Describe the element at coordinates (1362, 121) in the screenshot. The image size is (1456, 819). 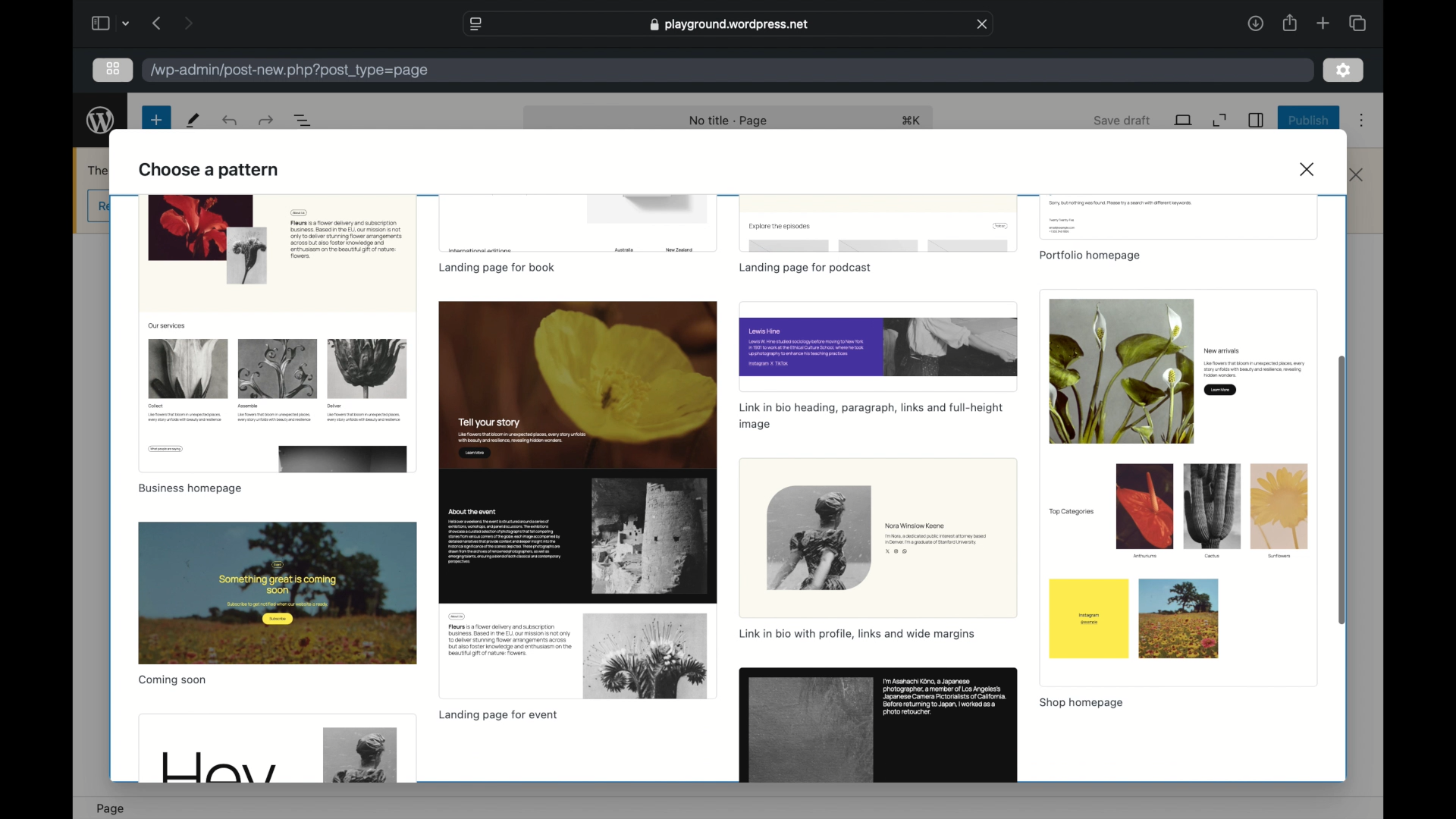
I see `more options` at that location.